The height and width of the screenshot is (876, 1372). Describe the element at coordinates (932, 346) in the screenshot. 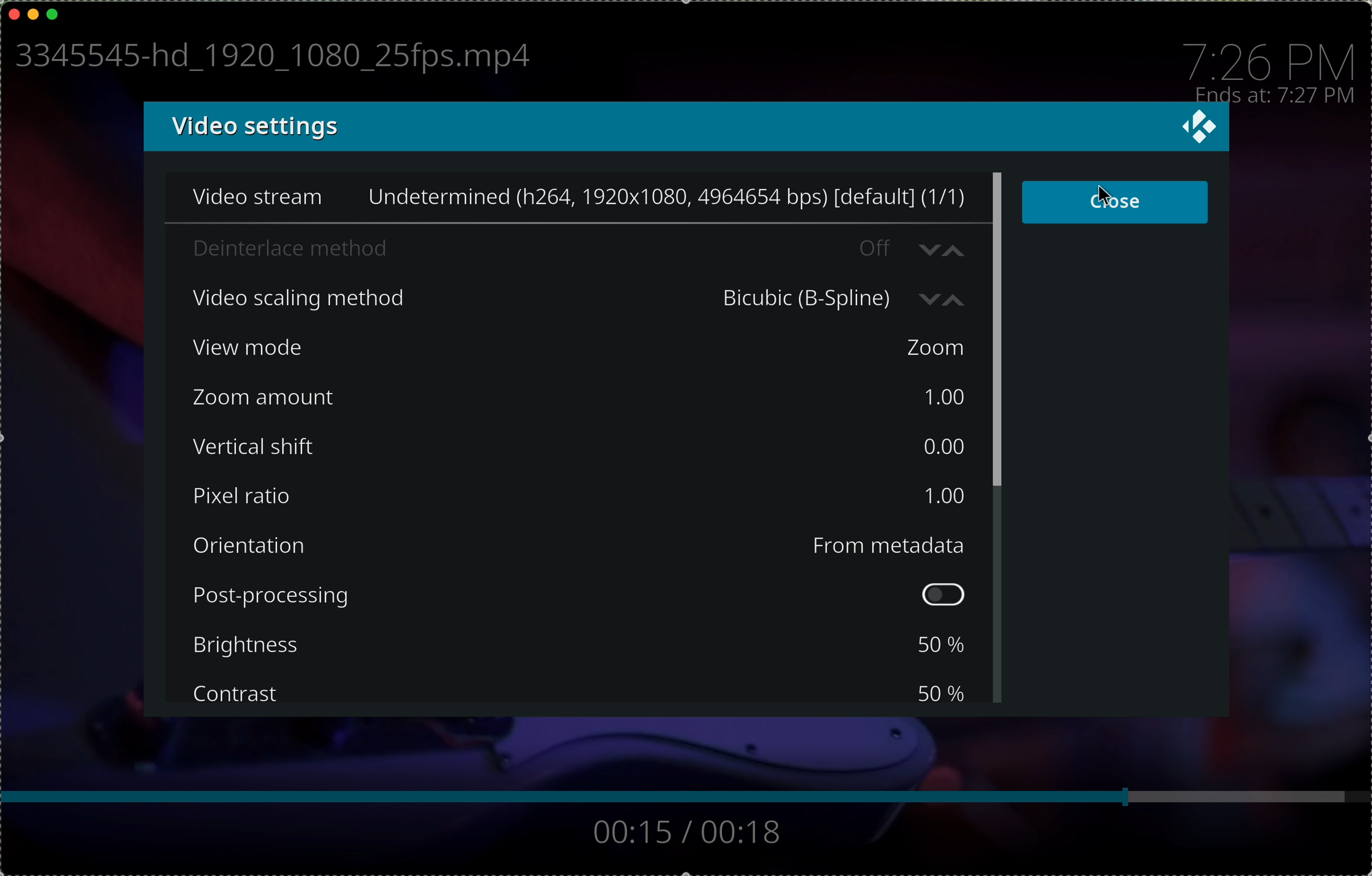

I see `Zoom` at that location.